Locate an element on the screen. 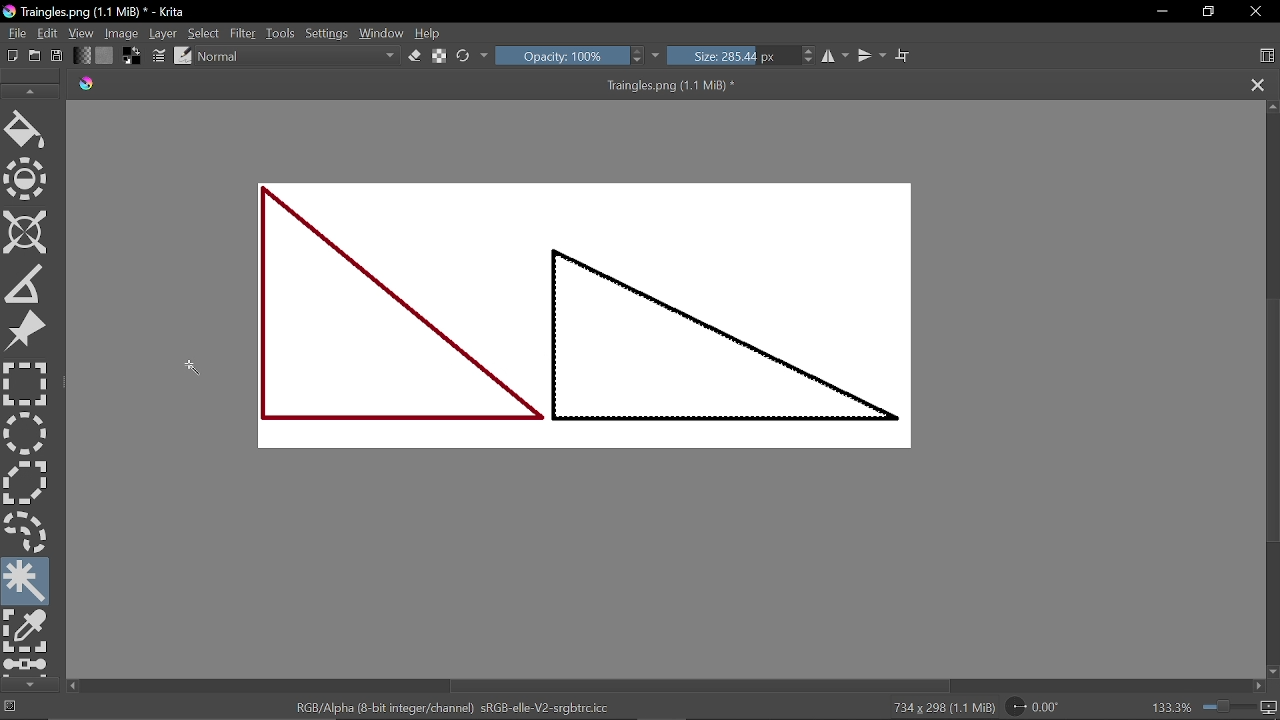 The image size is (1280, 720). Rectangular select tool is located at coordinates (27, 384).